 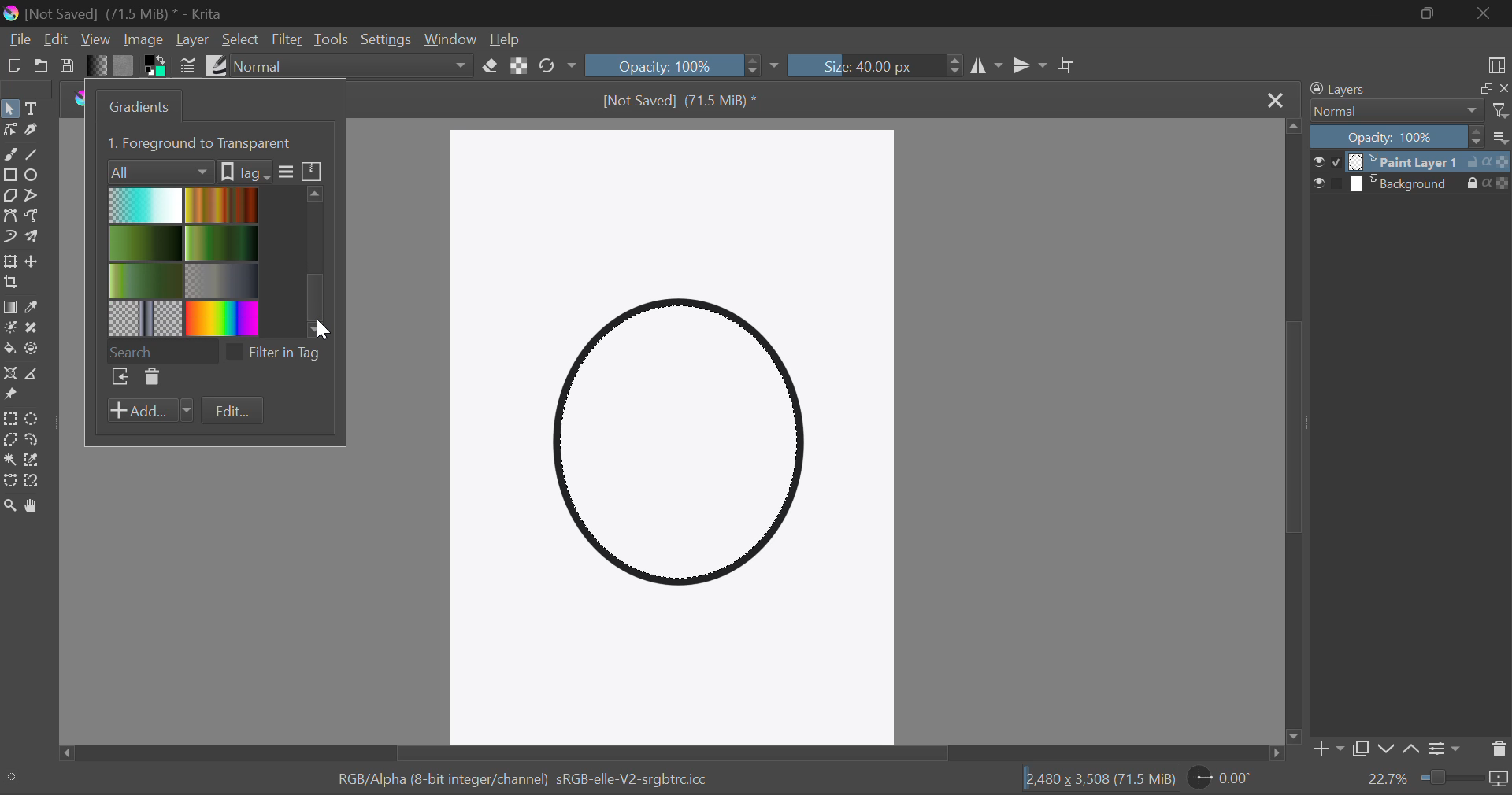 I want to click on Polygon, so click(x=11, y=197).